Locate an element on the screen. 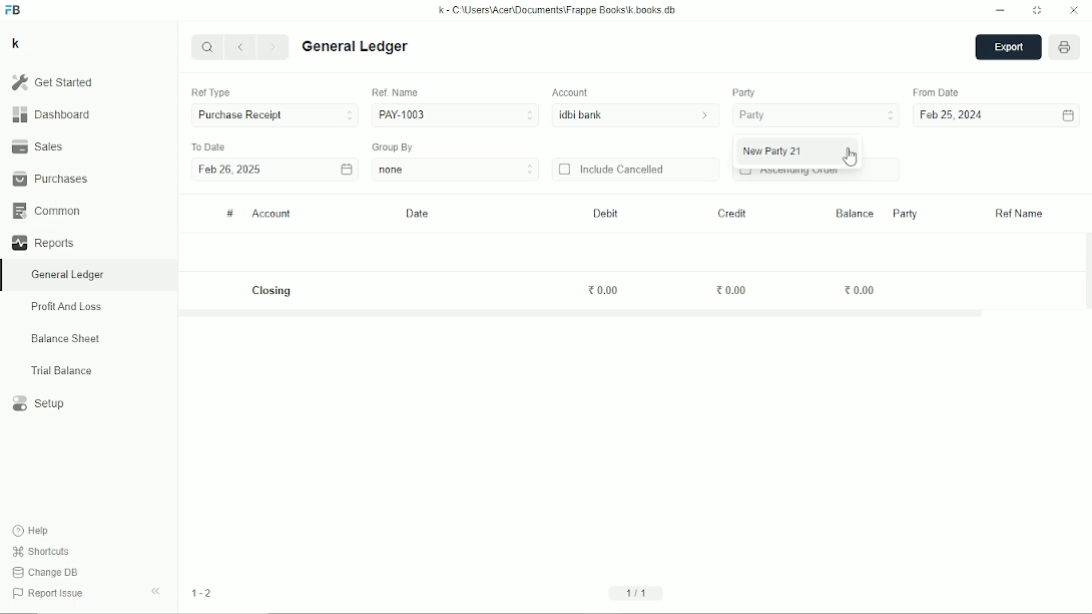  0.00 is located at coordinates (605, 290).